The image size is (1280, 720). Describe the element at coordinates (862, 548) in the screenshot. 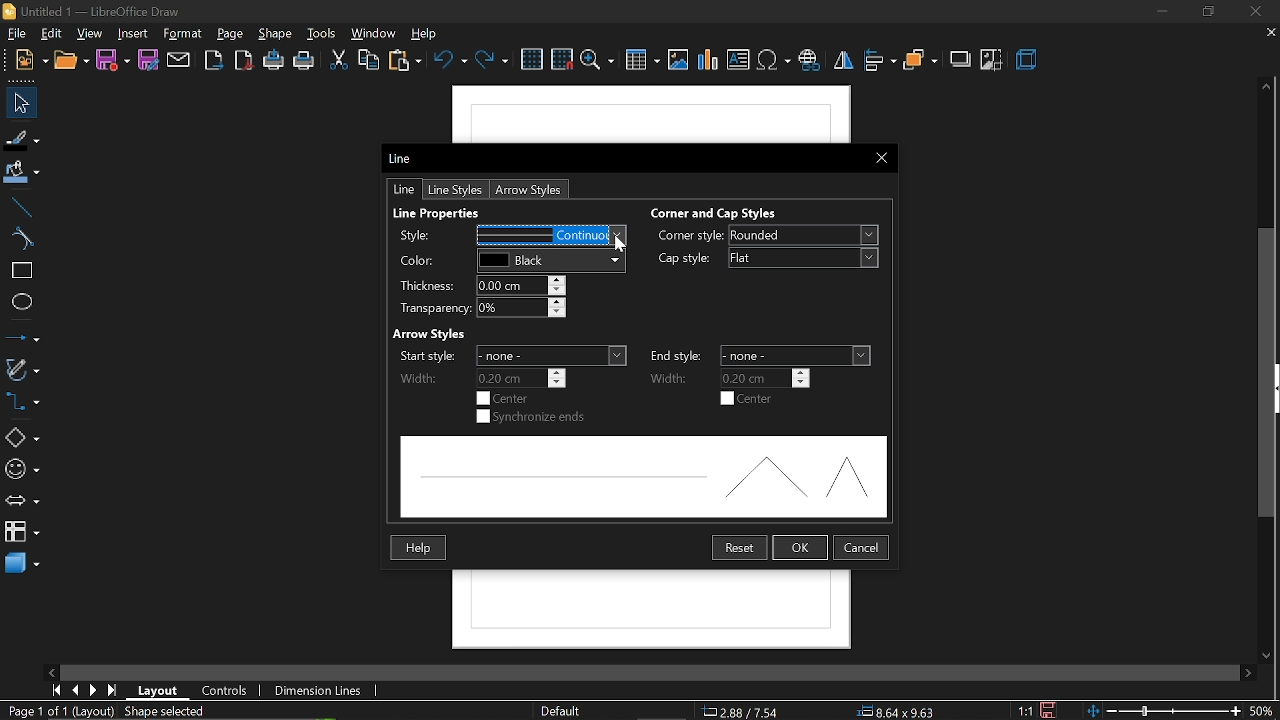

I see `cancel` at that location.